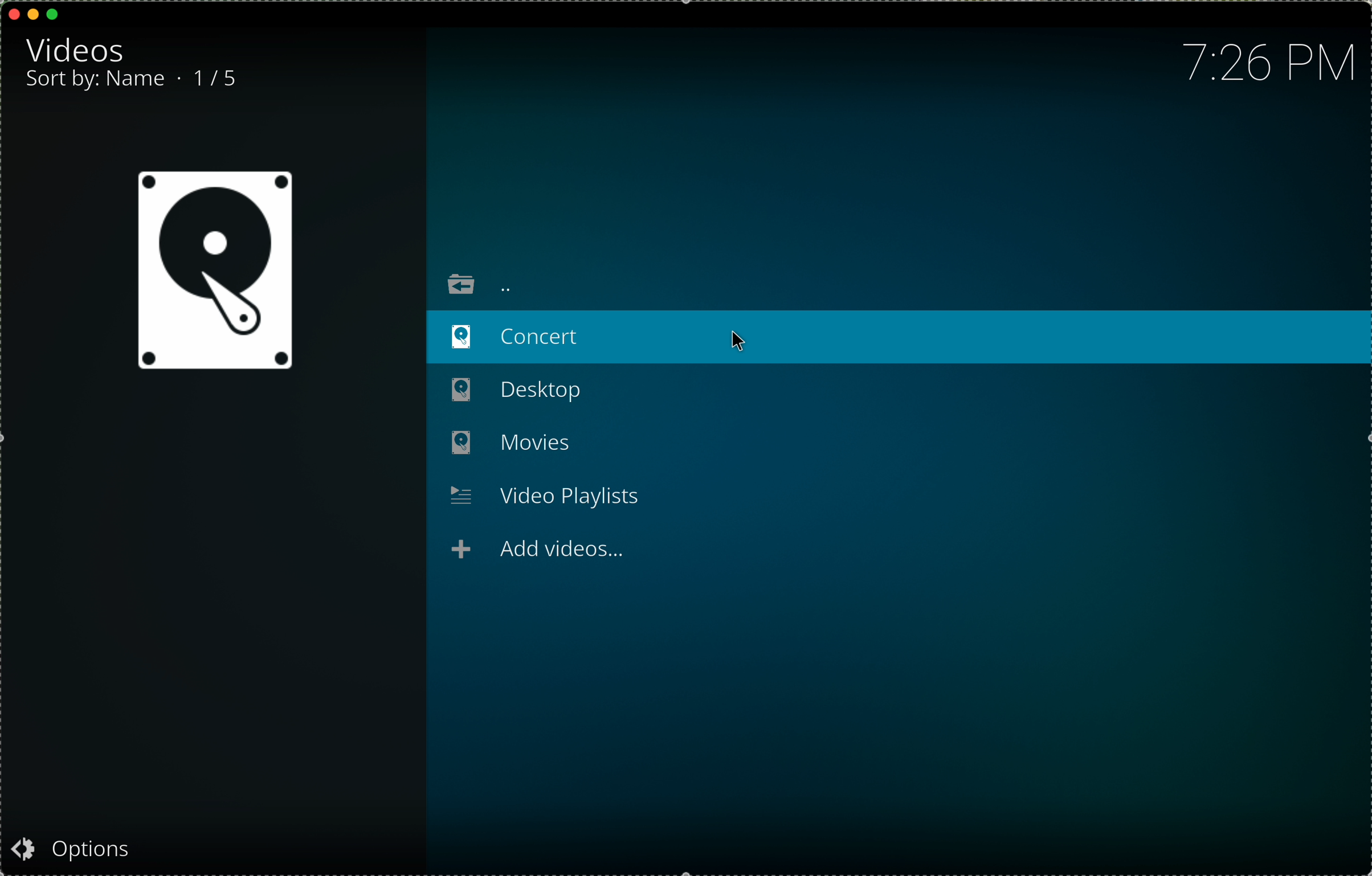 The width and height of the screenshot is (1372, 876). Describe the element at coordinates (900, 338) in the screenshot. I see `click on concert option` at that location.